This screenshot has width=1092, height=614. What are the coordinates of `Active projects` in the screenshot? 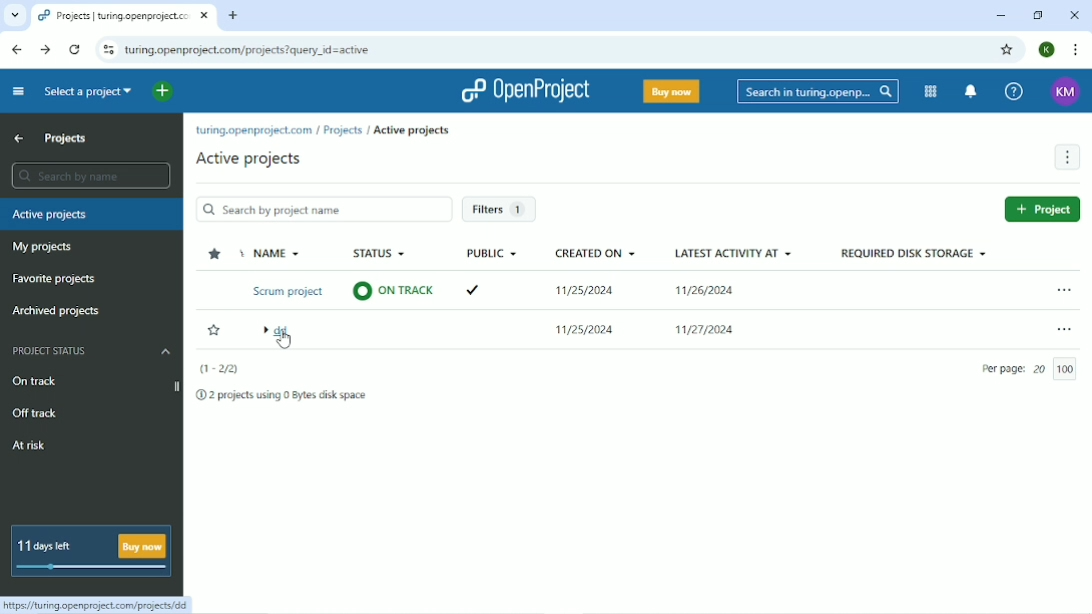 It's located at (412, 130).